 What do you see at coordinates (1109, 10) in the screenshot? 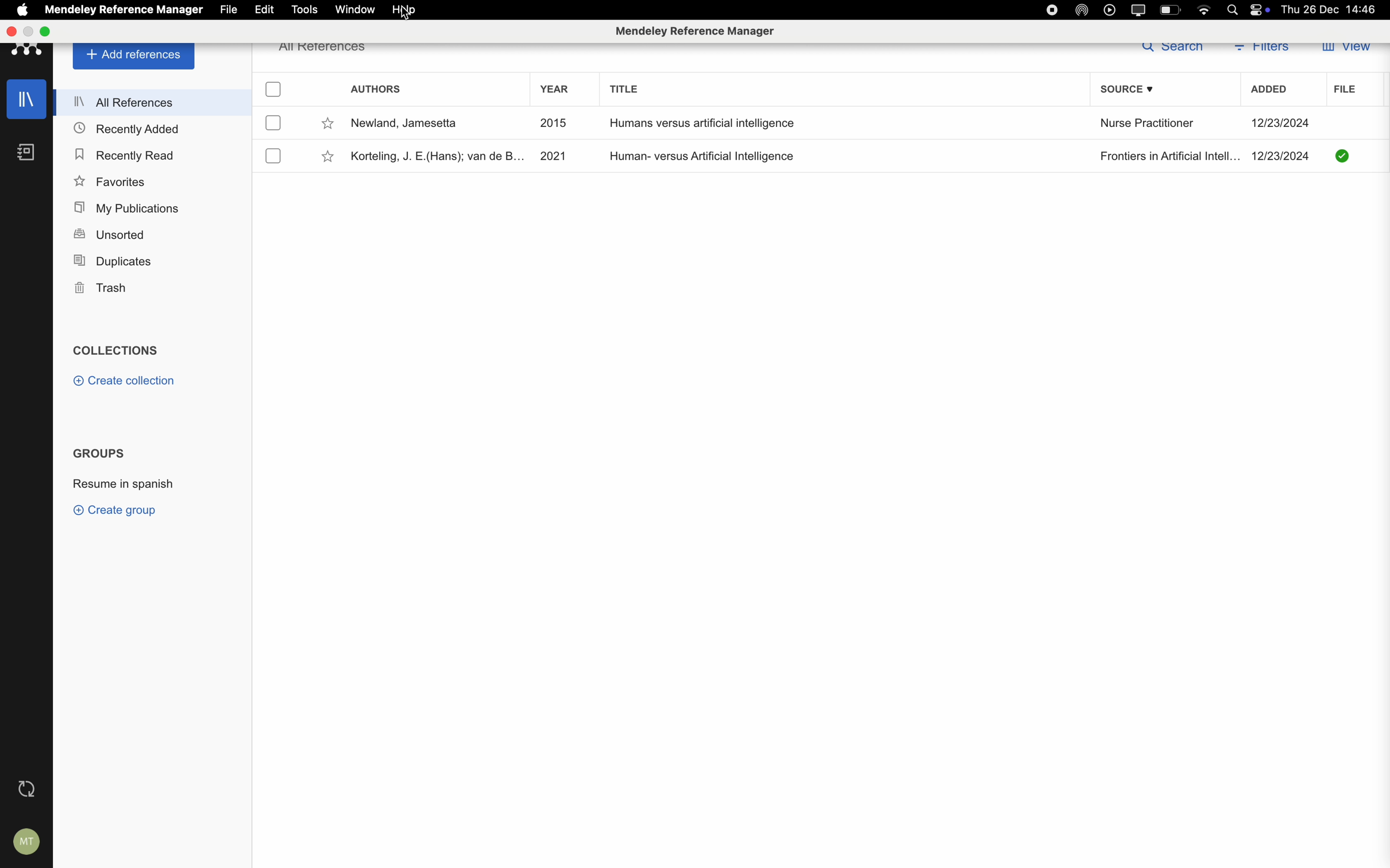
I see `play` at bounding box center [1109, 10].